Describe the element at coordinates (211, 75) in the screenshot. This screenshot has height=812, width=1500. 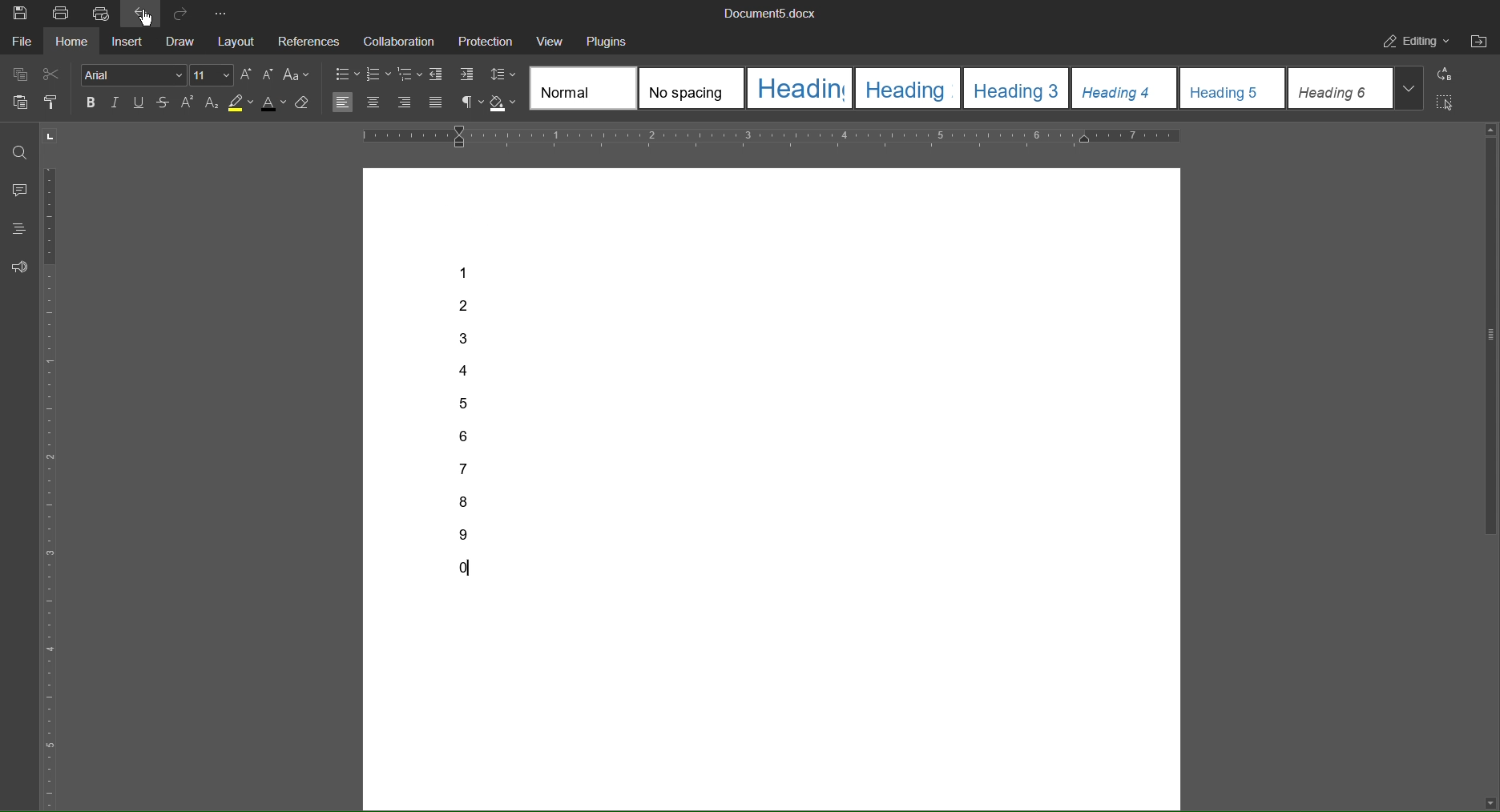
I see `Font size` at that location.